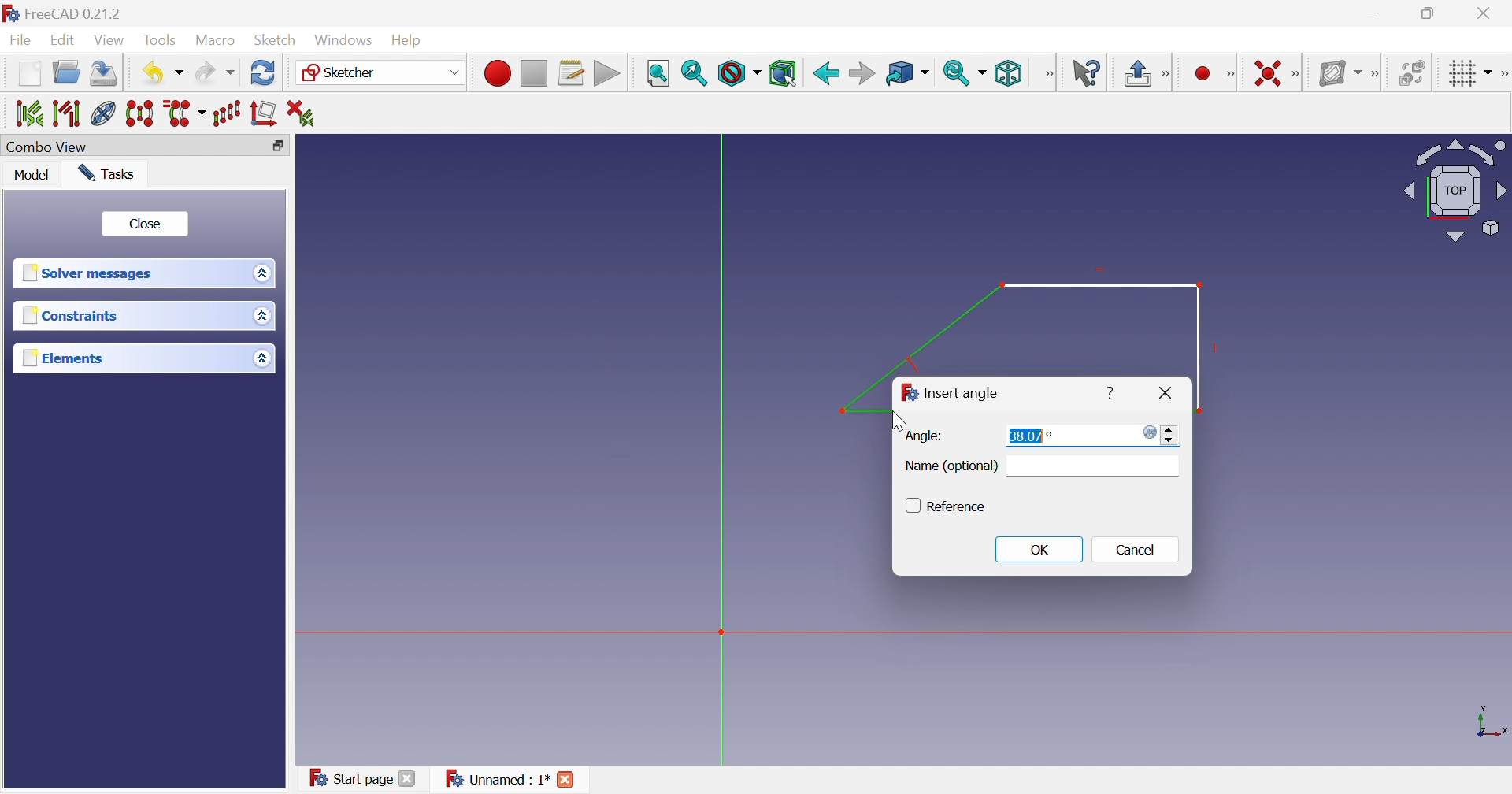 The width and height of the screenshot is (1512, 794). Describe the element at coordinates (960, 507) in the screenshot. I see `Reference` at that location.